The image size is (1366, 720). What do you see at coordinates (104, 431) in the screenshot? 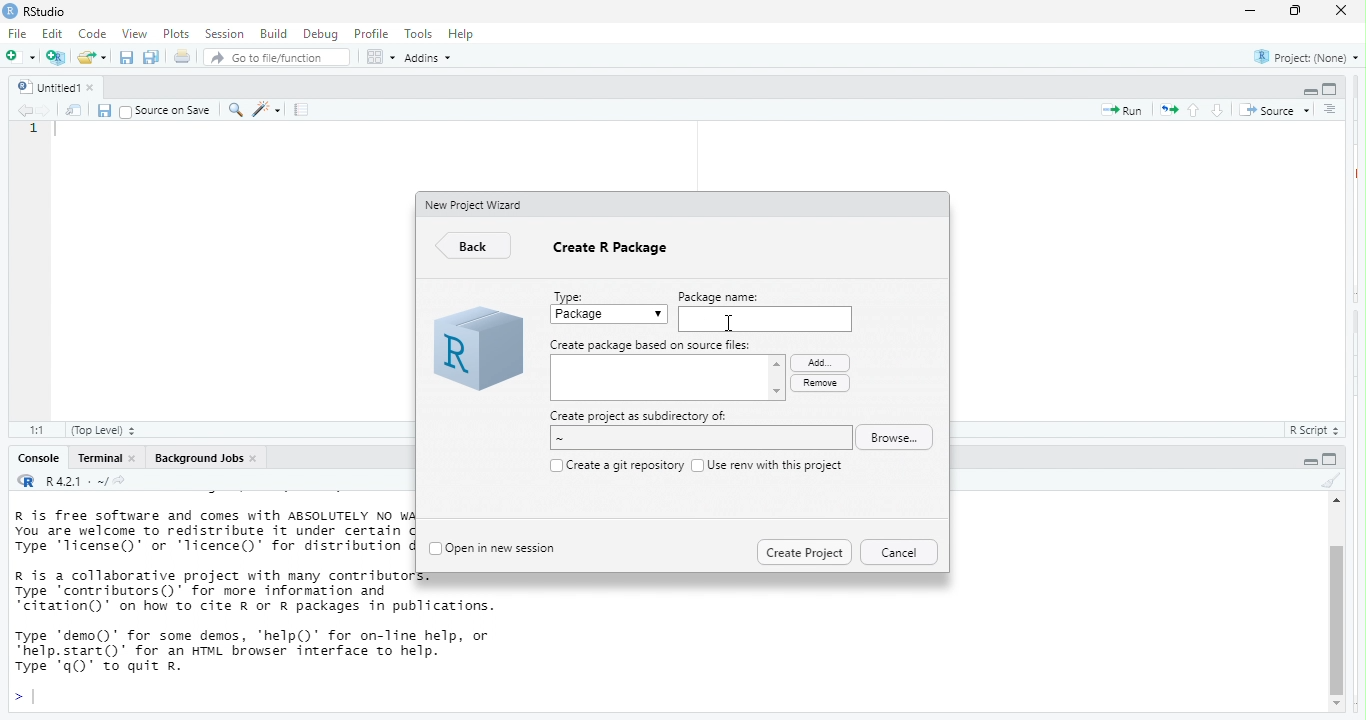
I see `(Top Level) ` at bounding box center [104, 431].